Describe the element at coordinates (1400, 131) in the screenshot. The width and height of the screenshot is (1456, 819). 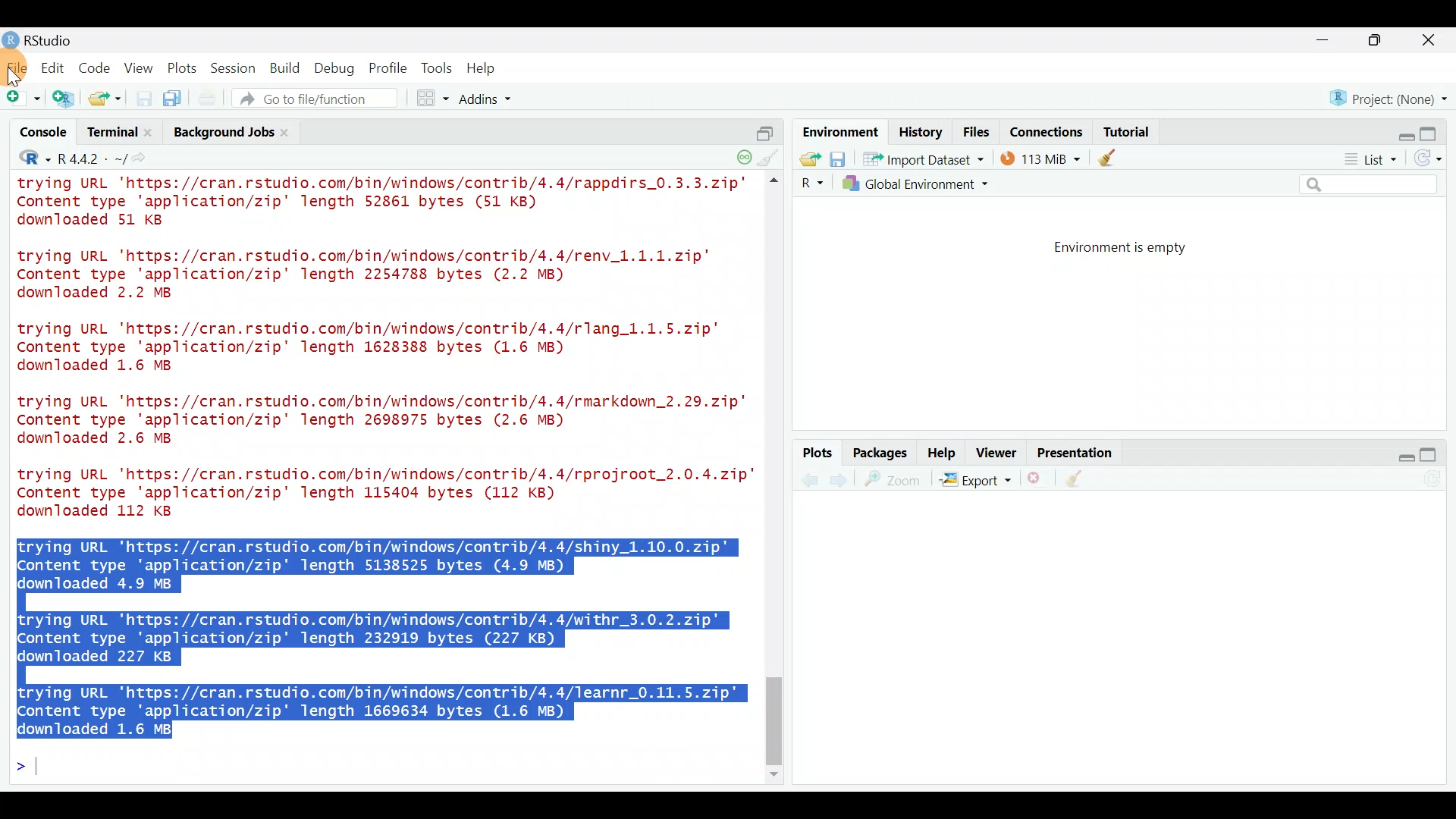
I see `Restore down` at that location.